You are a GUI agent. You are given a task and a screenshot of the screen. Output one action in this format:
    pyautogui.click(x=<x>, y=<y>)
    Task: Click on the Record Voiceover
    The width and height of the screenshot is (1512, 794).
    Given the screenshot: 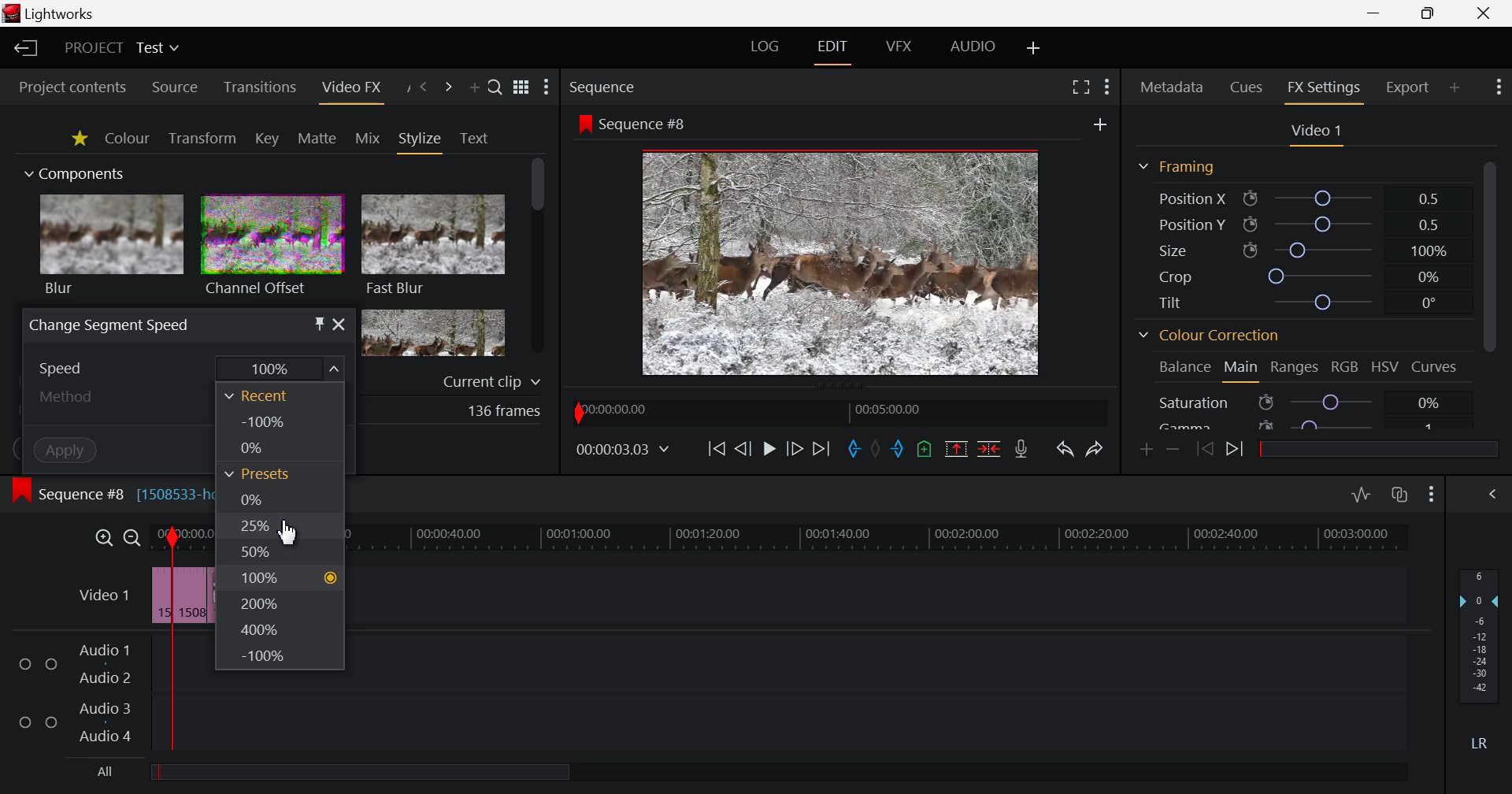 What is the action you would take?
    pyautogui.click(x=1024, y=449)
    